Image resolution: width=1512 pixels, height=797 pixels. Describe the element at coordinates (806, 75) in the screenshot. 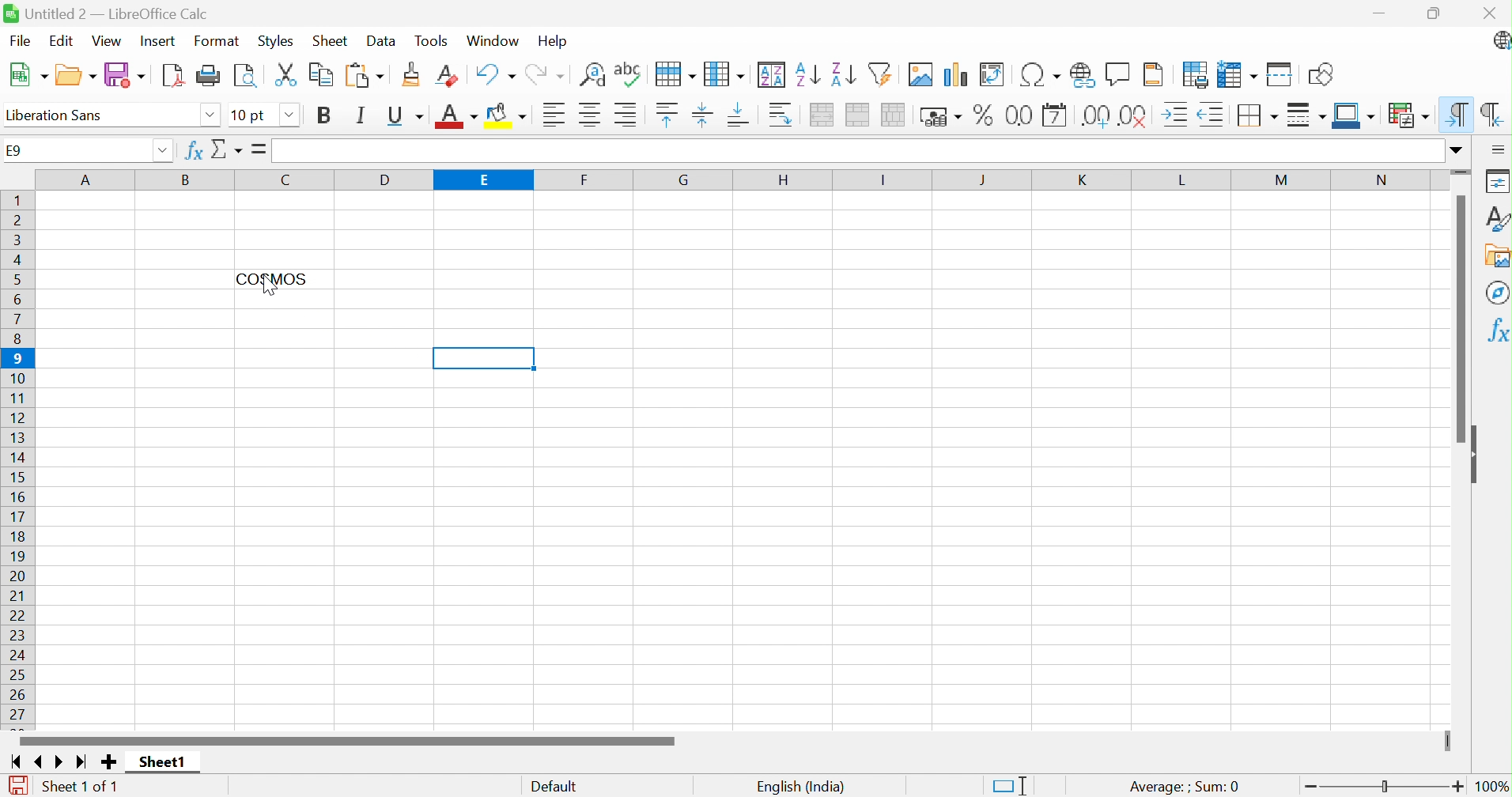

I see `Sort ascending` at that location.